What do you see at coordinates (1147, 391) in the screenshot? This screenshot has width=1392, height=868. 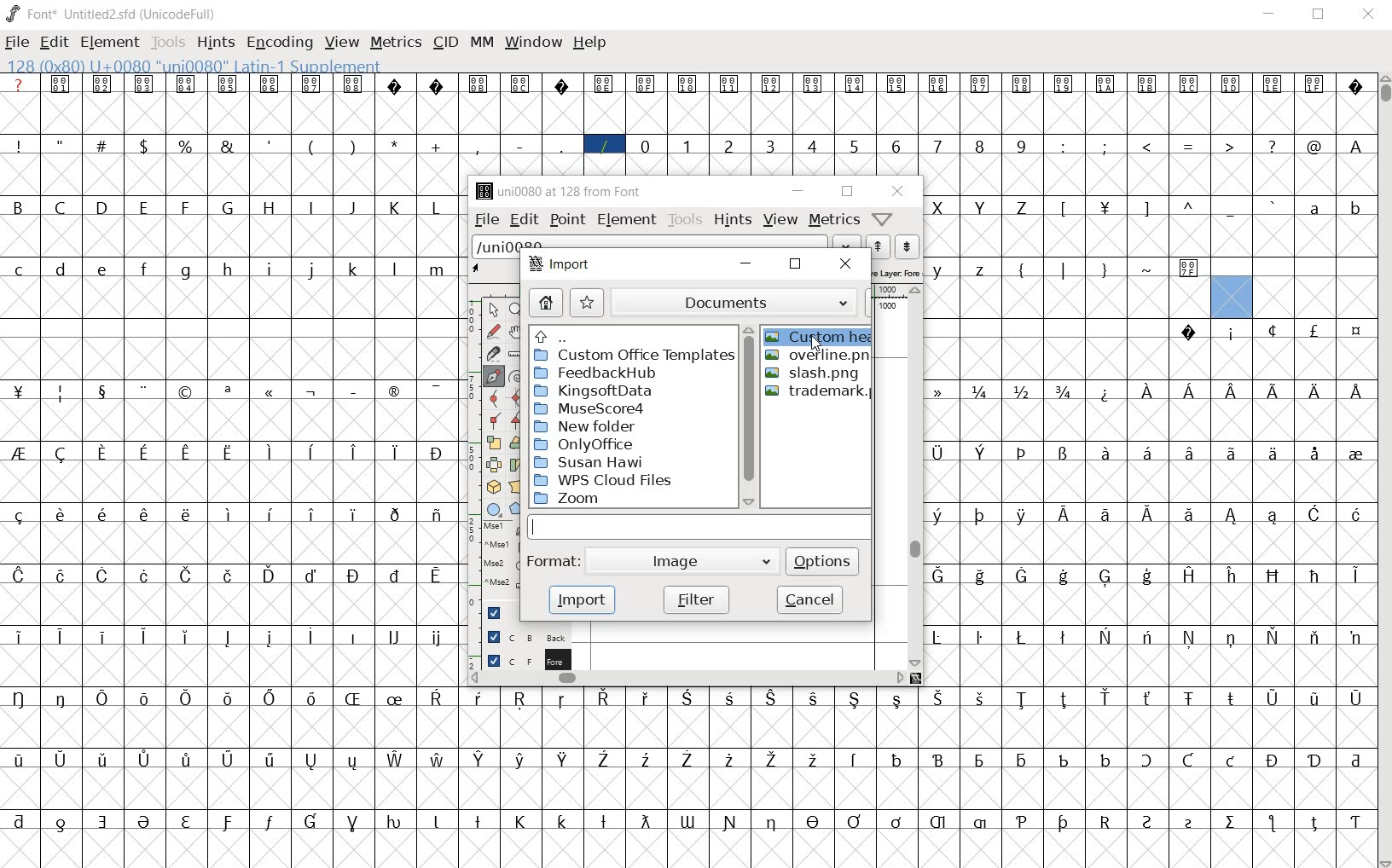 I see `glyph` at bounding box center [1147, 391].